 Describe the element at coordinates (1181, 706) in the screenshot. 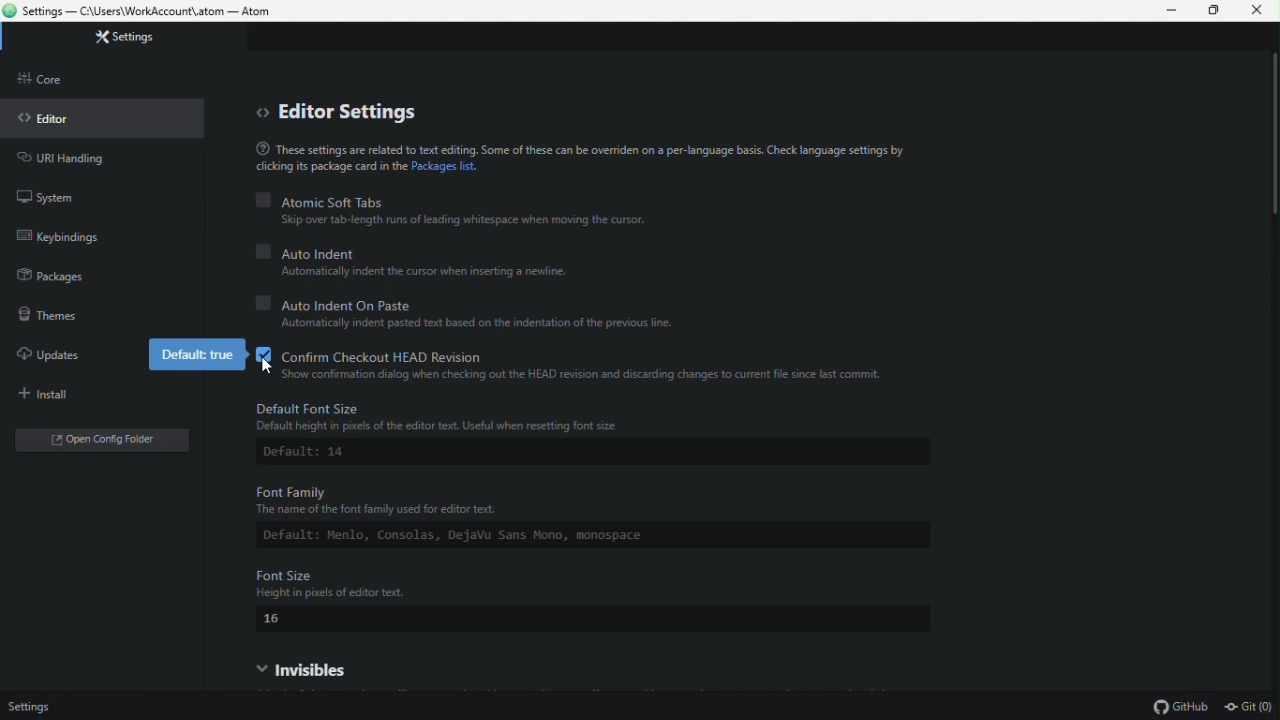

I see `github` at that location.